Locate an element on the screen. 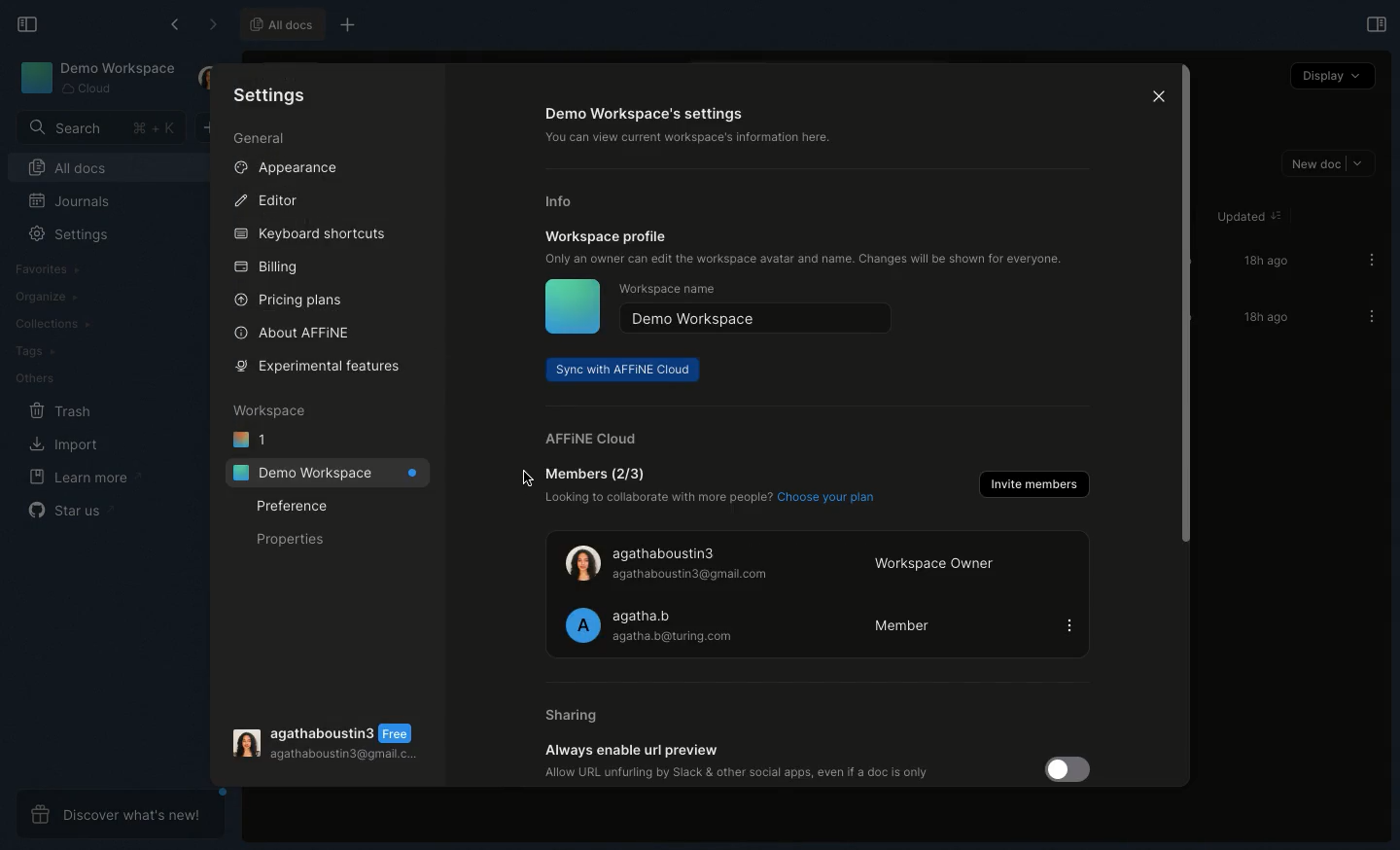  Collections is located at coordinates (49, 322).